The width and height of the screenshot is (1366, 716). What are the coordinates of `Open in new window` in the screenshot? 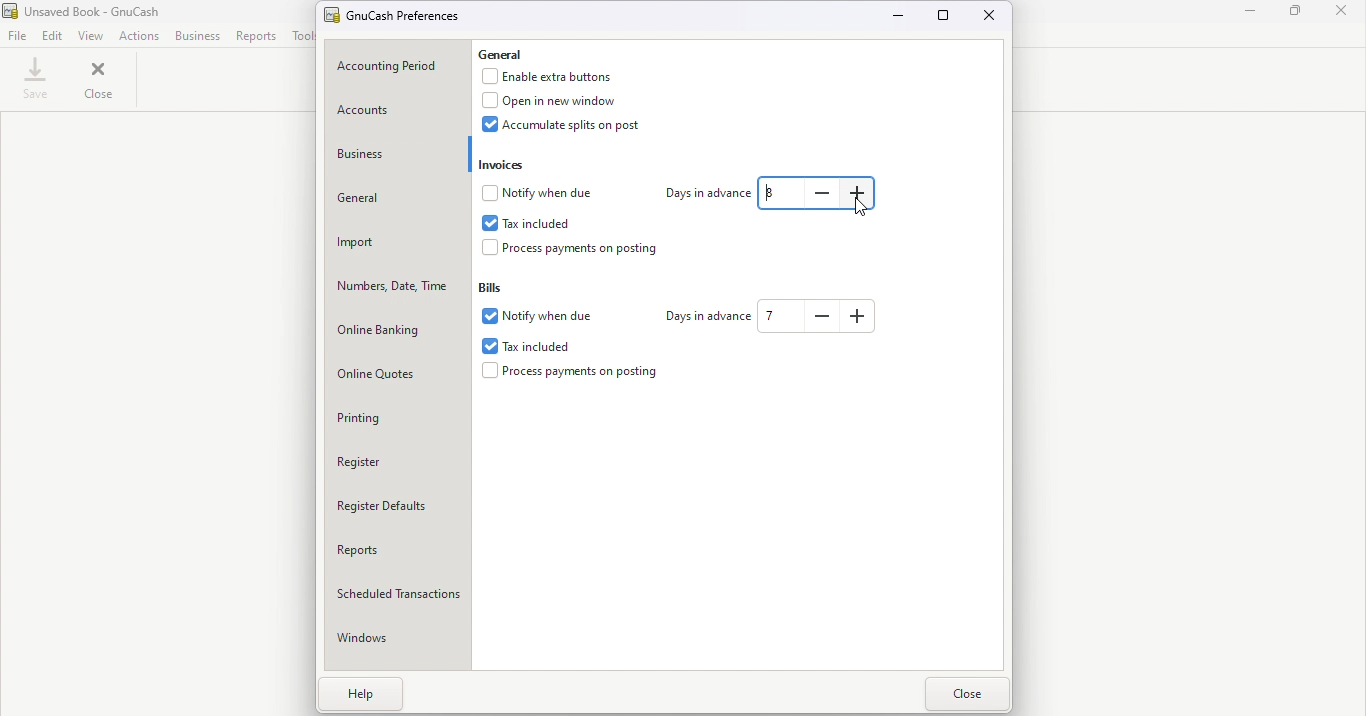 It's located at (560, 103).